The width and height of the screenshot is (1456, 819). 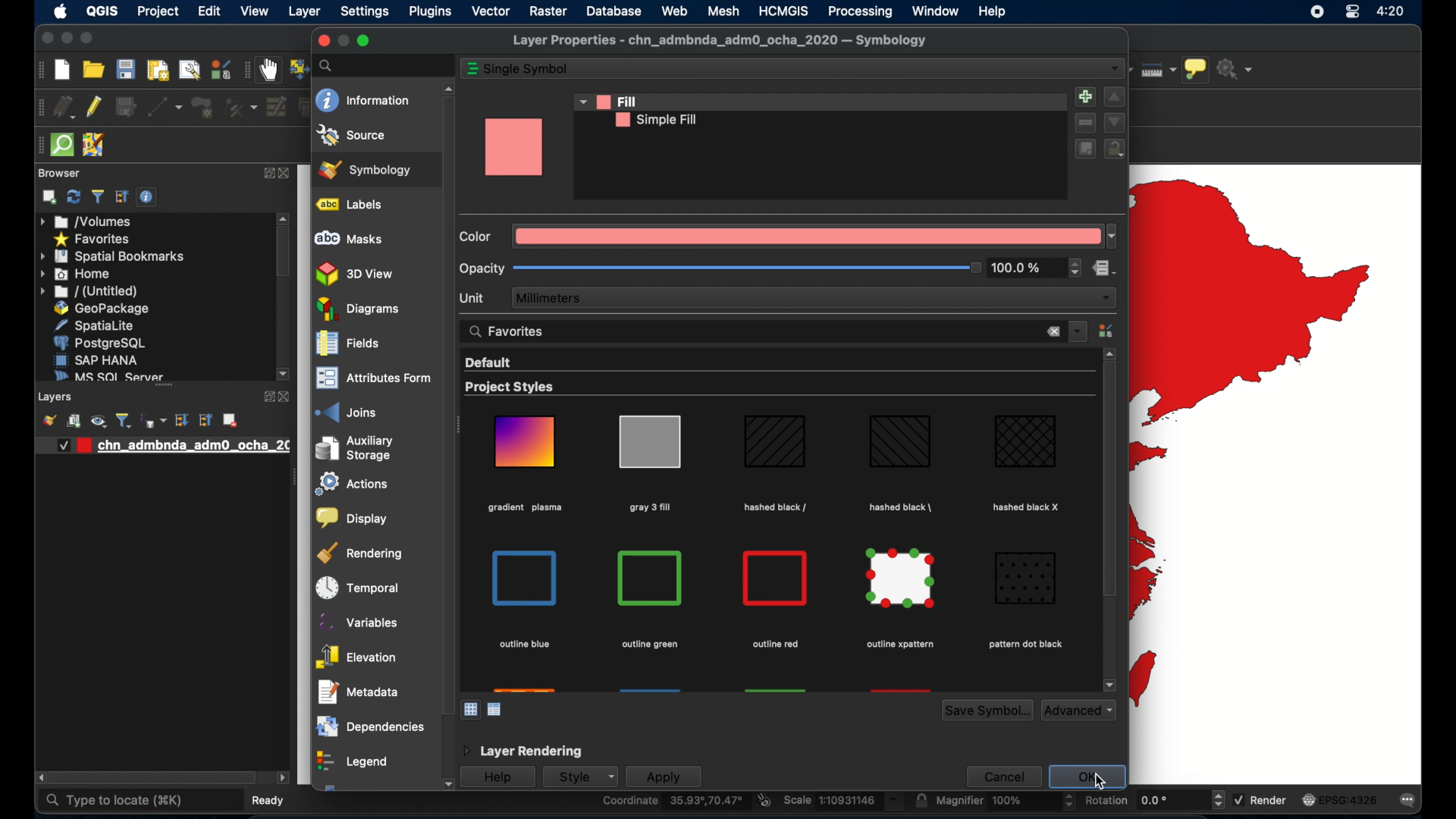 I want to click on screen recorder icon, so click(x=1316, y=11).